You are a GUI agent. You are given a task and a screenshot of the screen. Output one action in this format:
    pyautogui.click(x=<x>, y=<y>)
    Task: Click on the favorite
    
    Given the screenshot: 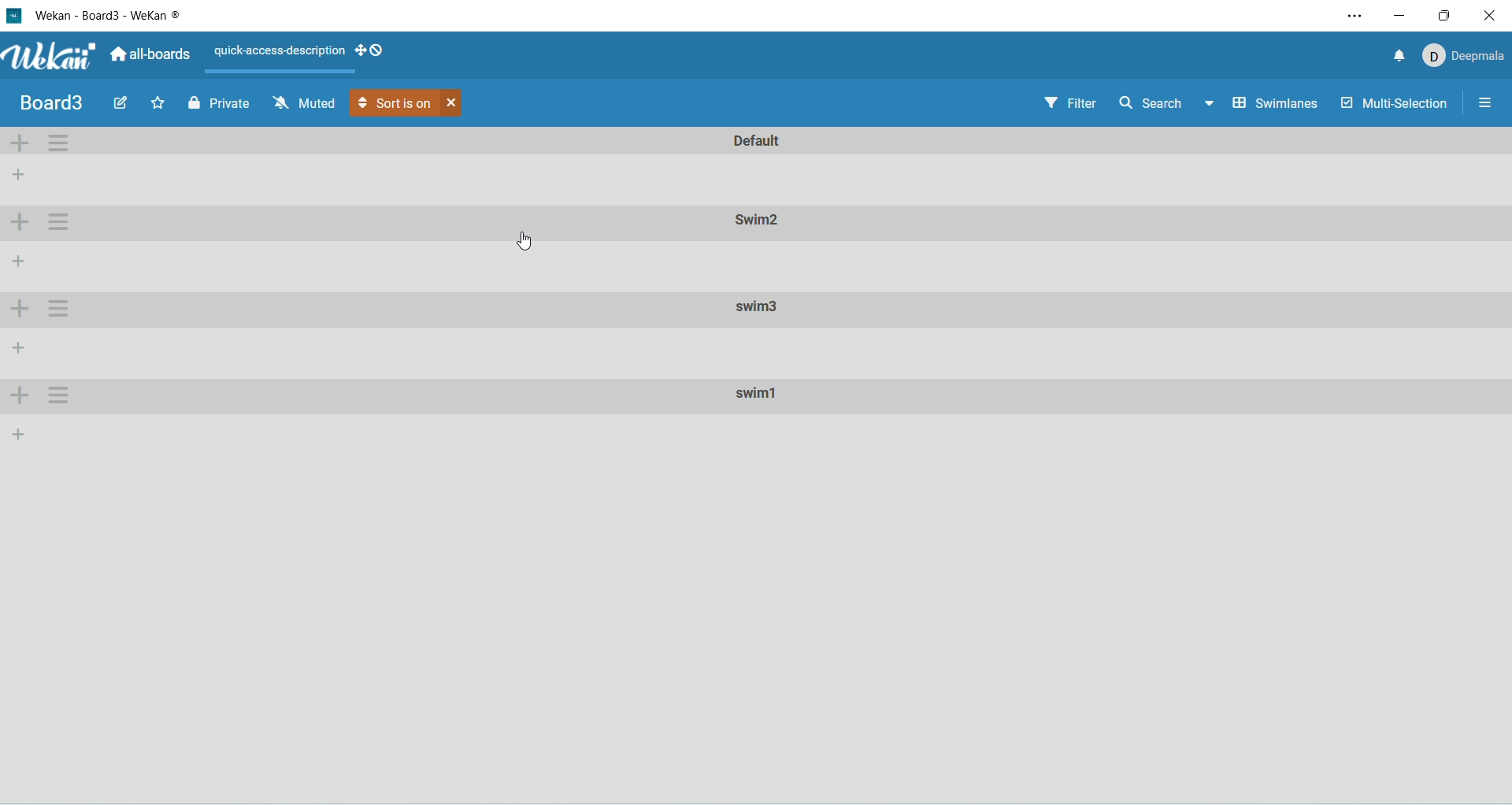 What is the action you would take?
    pyautogui.click(x=159, y=102)
    